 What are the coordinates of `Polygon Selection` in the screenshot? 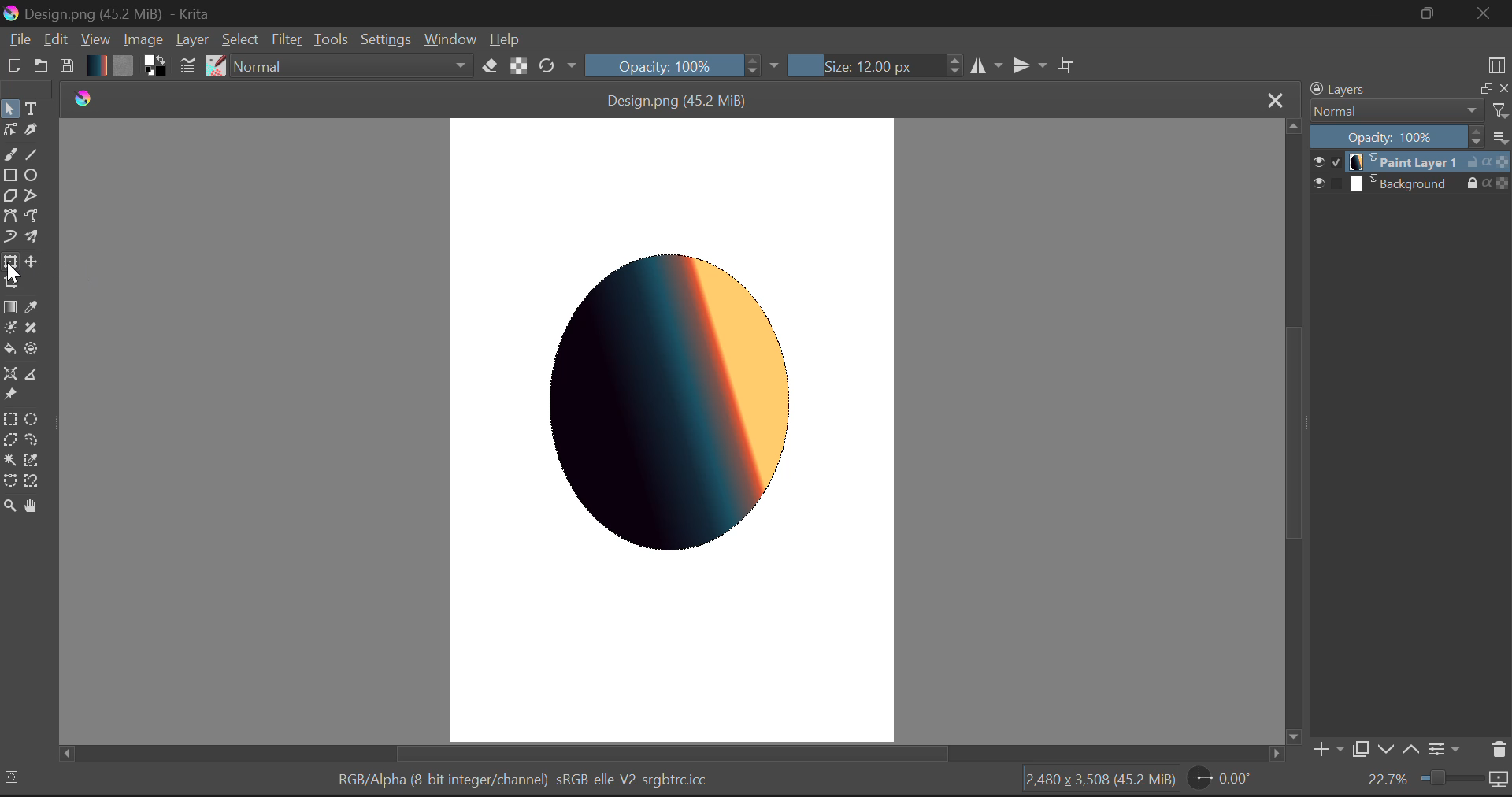 It's located at (9, 440).